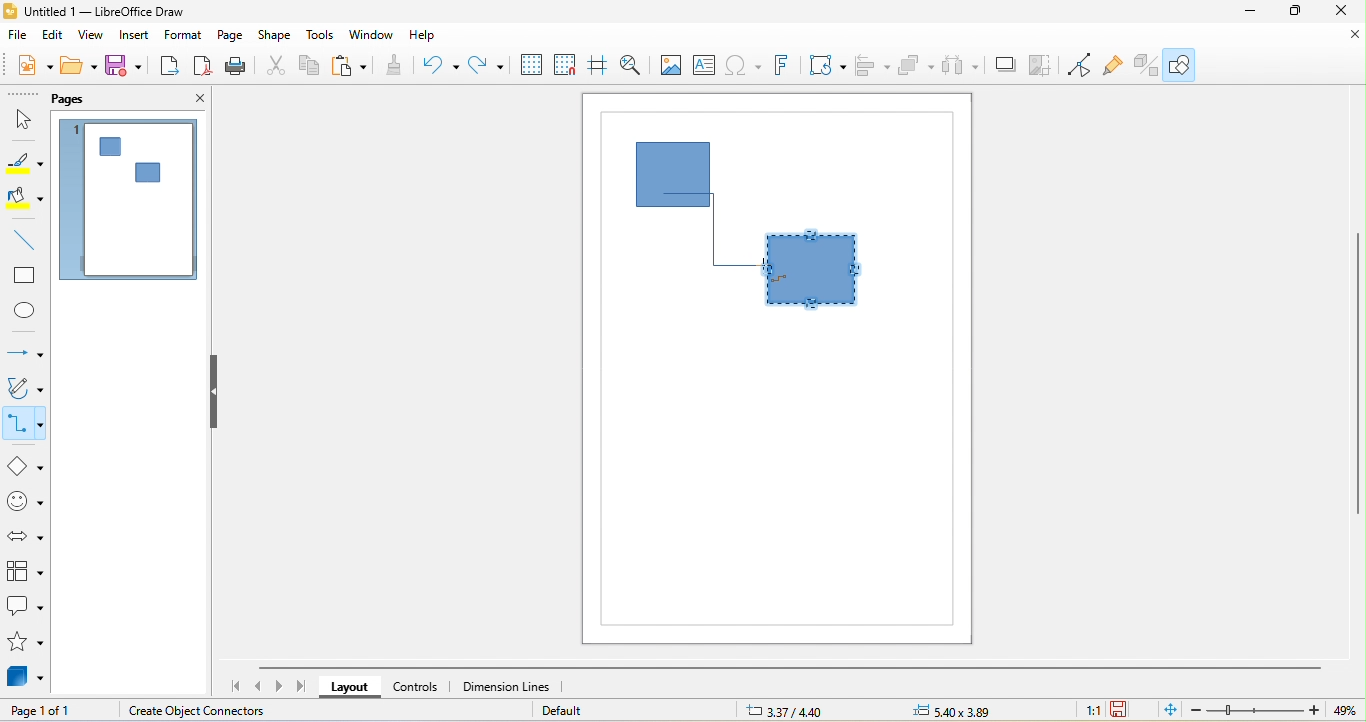  Describe the element at coordinates (1342, 10) in the screenshot. I see `close` at that location.